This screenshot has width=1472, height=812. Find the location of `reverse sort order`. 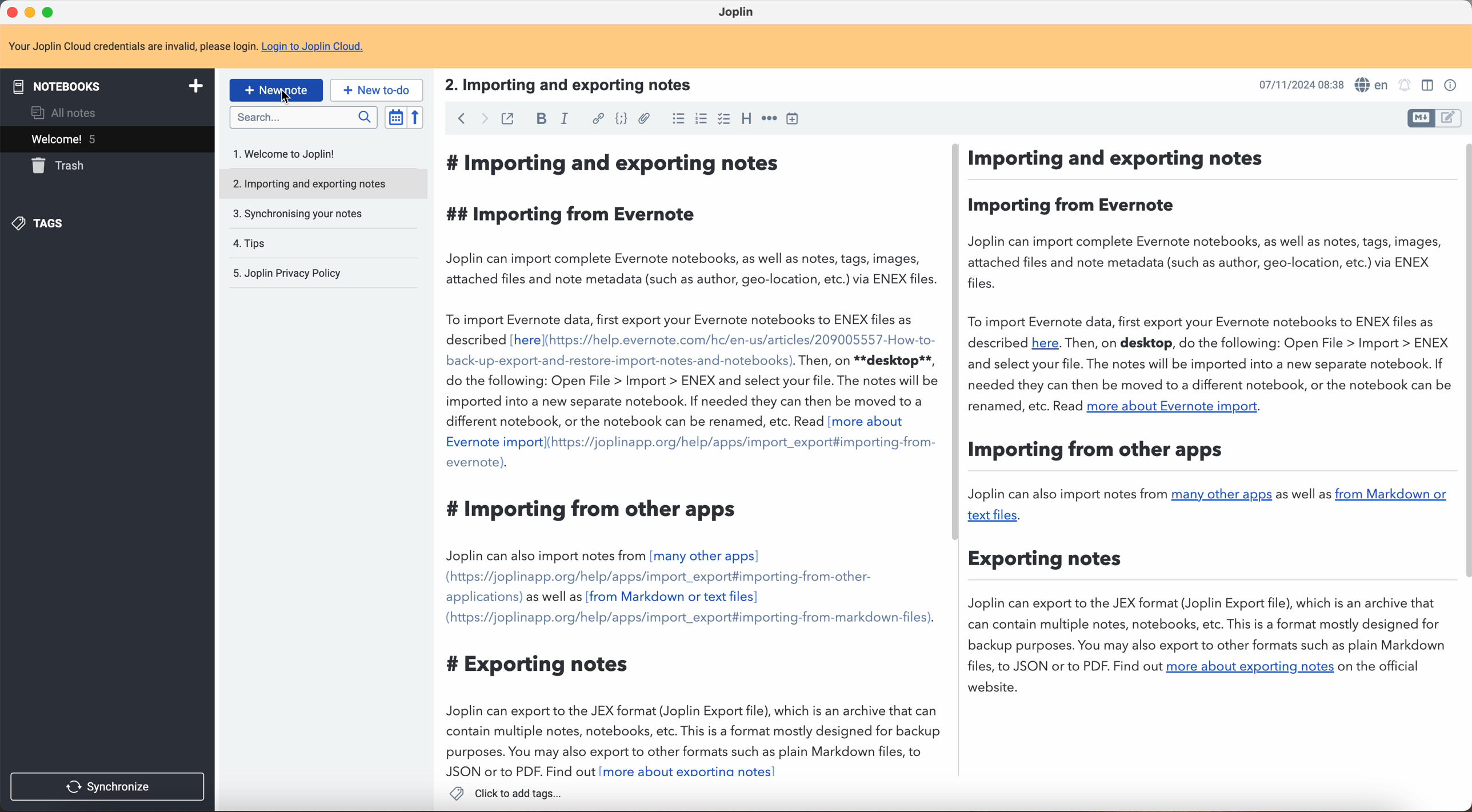

reverse sort order is located at coordinates (416, 118).